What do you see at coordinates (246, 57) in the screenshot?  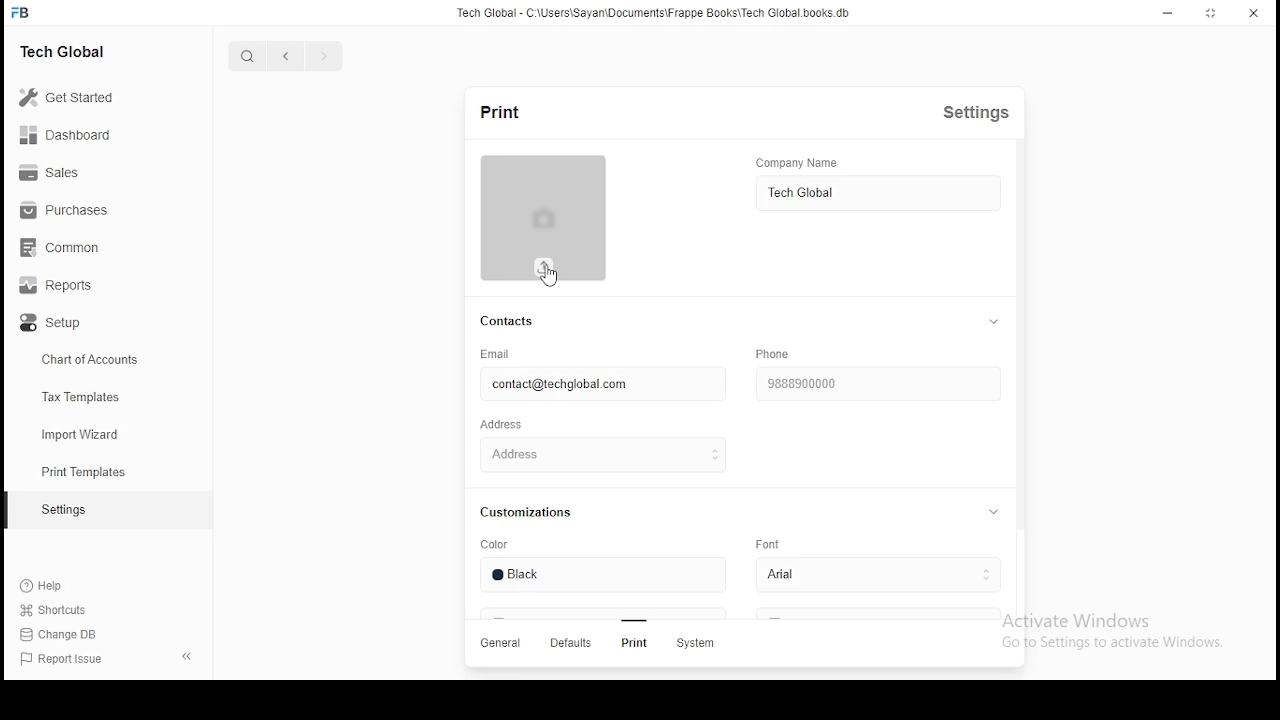 I see `search` at bounding box center [246, 57].